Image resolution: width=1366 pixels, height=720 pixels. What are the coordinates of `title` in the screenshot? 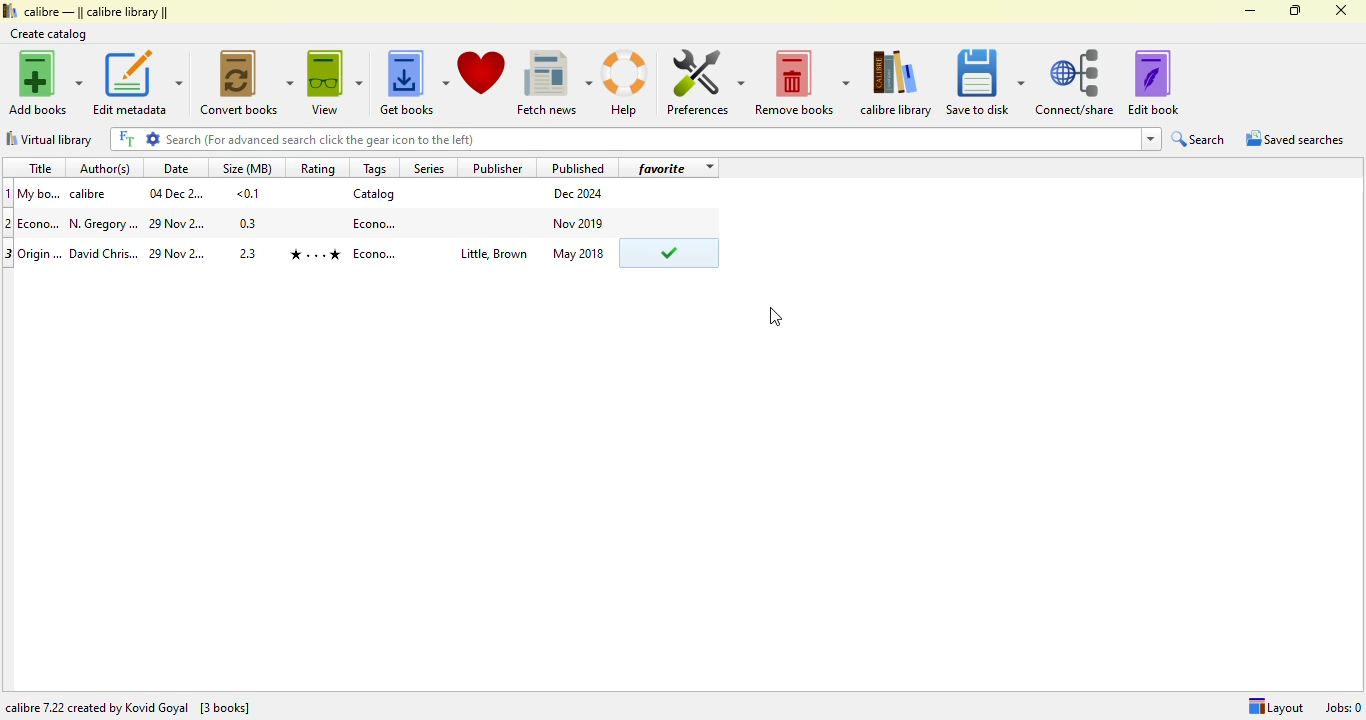 It's located at (41, 223).